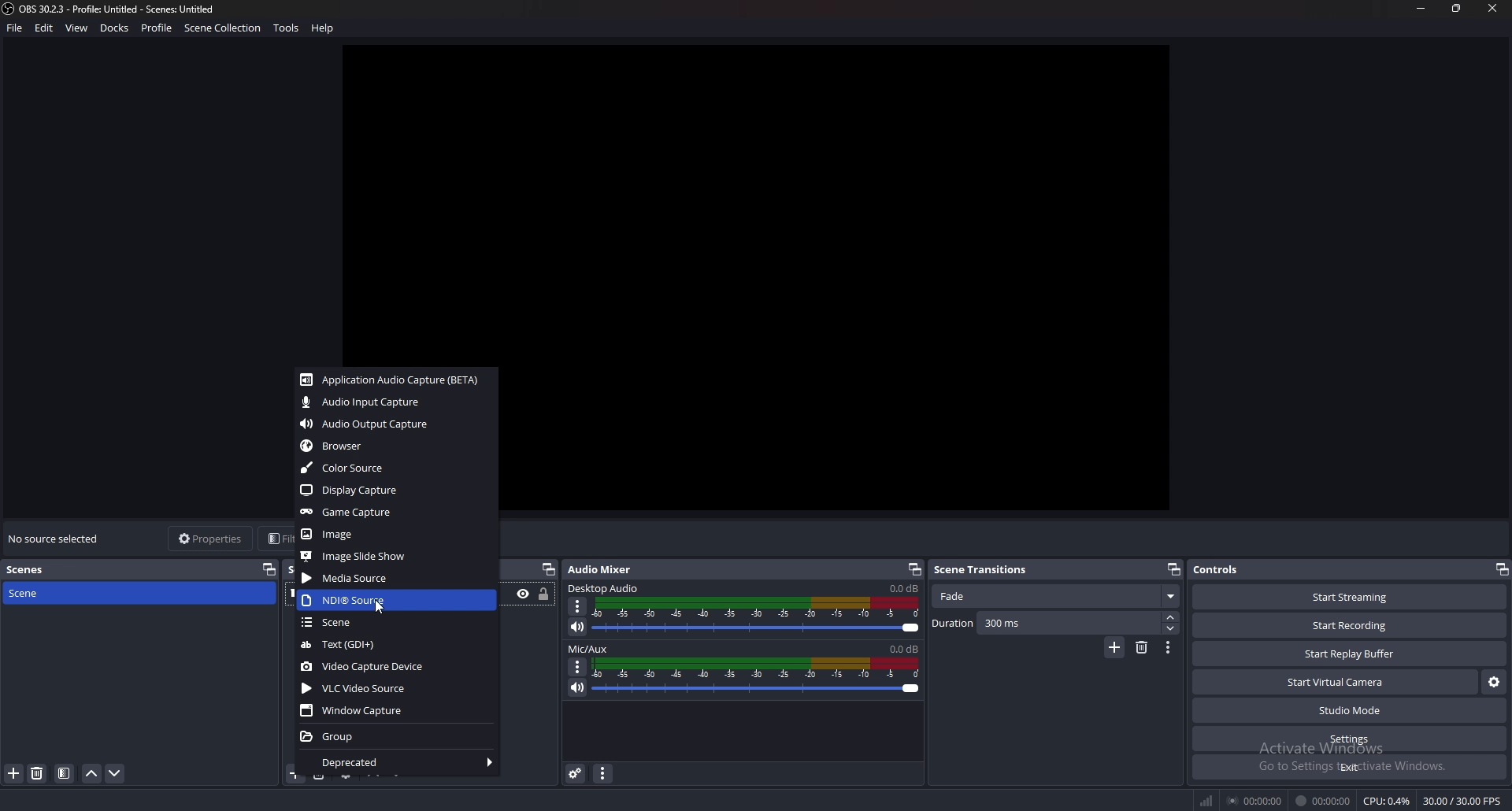  Describe the element at coordinates (1171, 617) in the screenshot. I see `increase duration` at that location.